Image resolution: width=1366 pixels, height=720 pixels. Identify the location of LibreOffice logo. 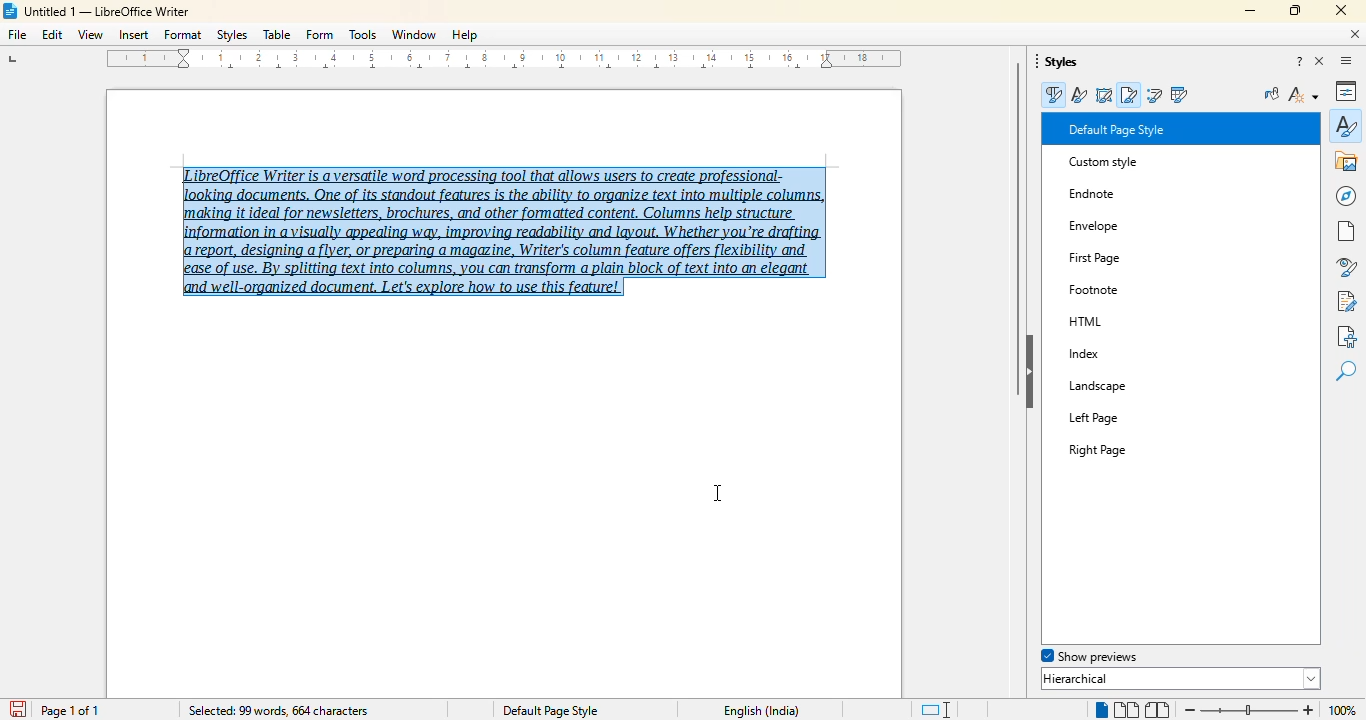
(12, 10).